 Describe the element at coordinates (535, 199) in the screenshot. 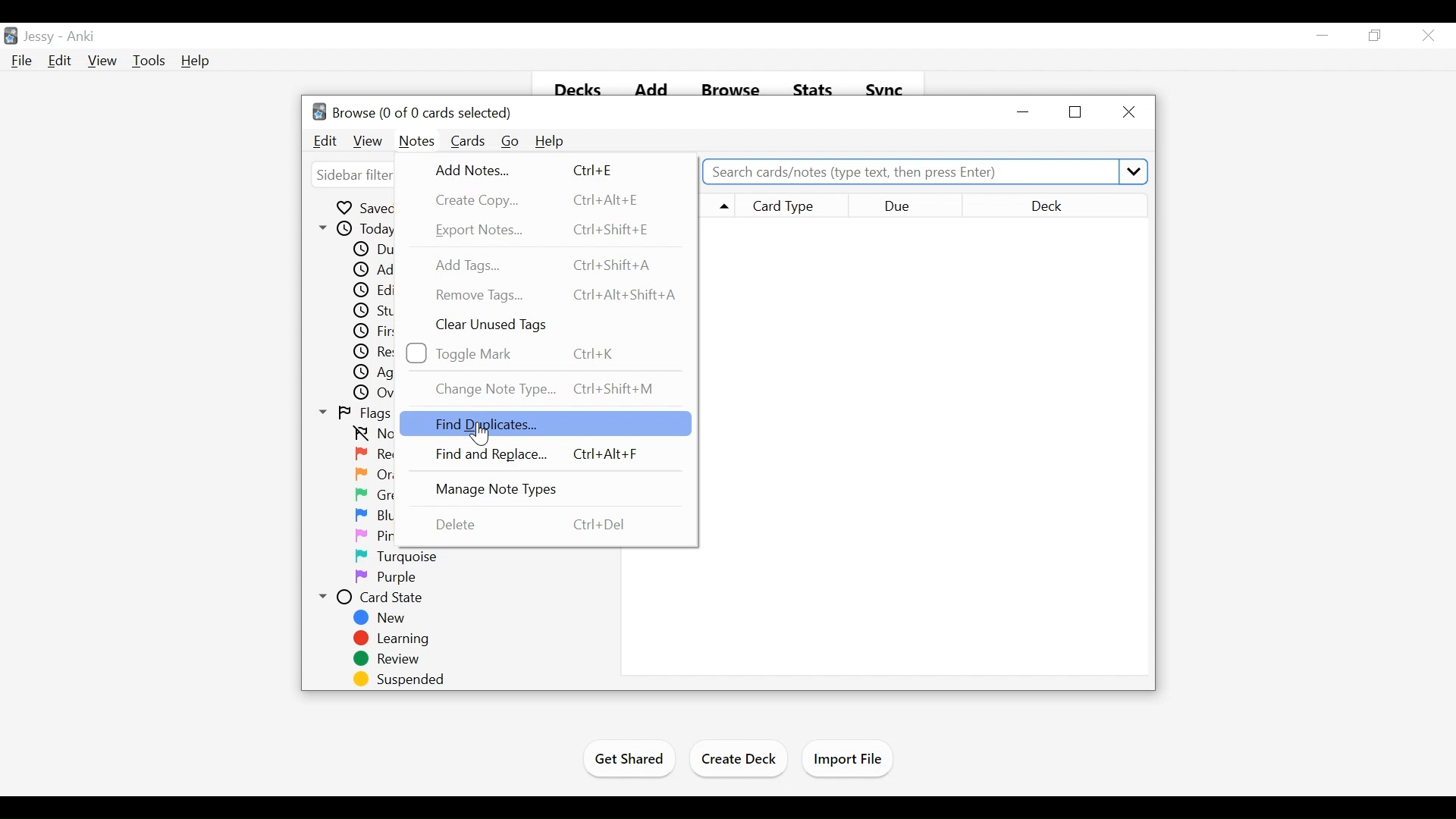

I see `Create Copy` at that location.